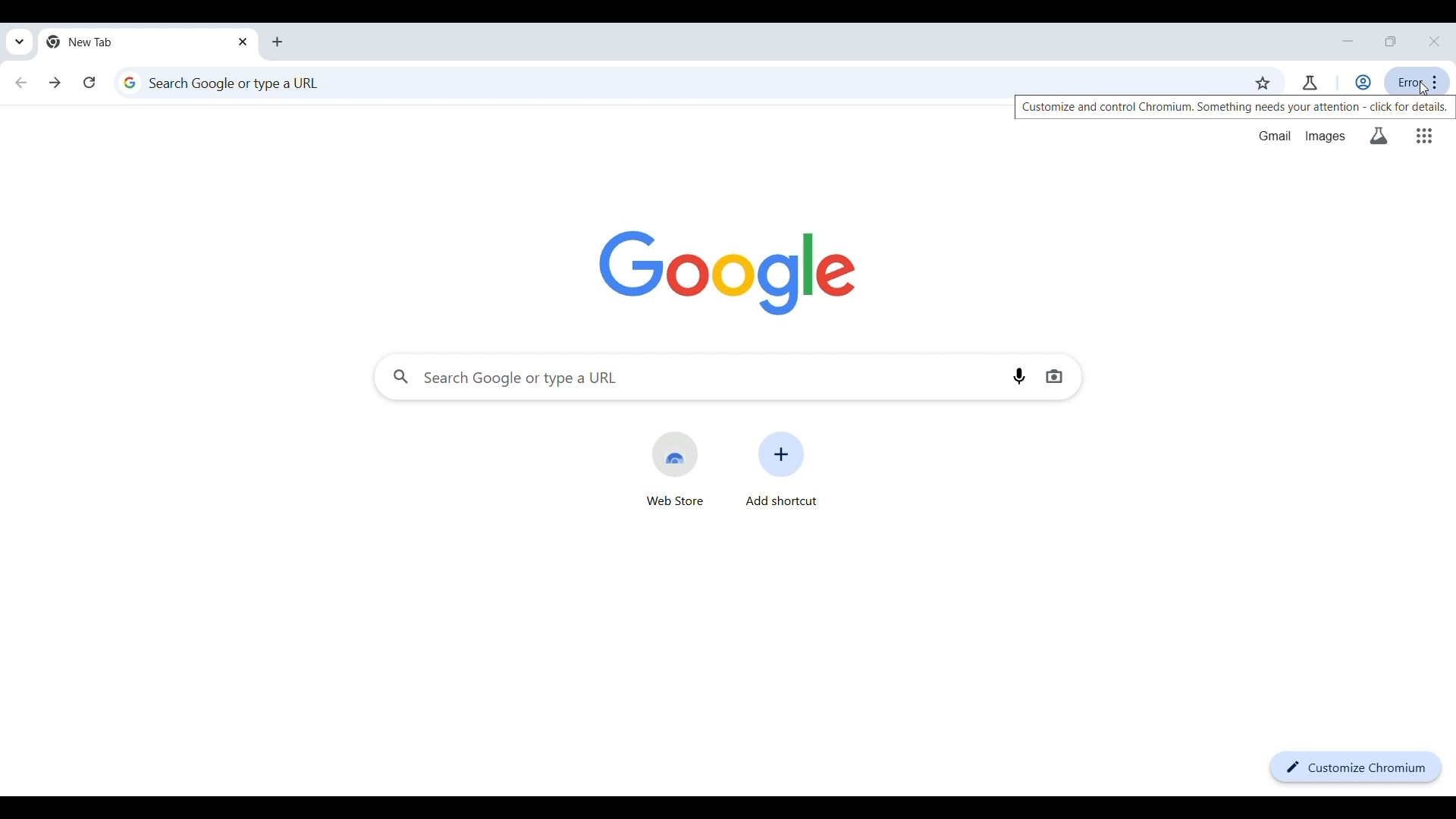 The image size is (1456, 819). I want to click on Go forward, so click(55, 83).